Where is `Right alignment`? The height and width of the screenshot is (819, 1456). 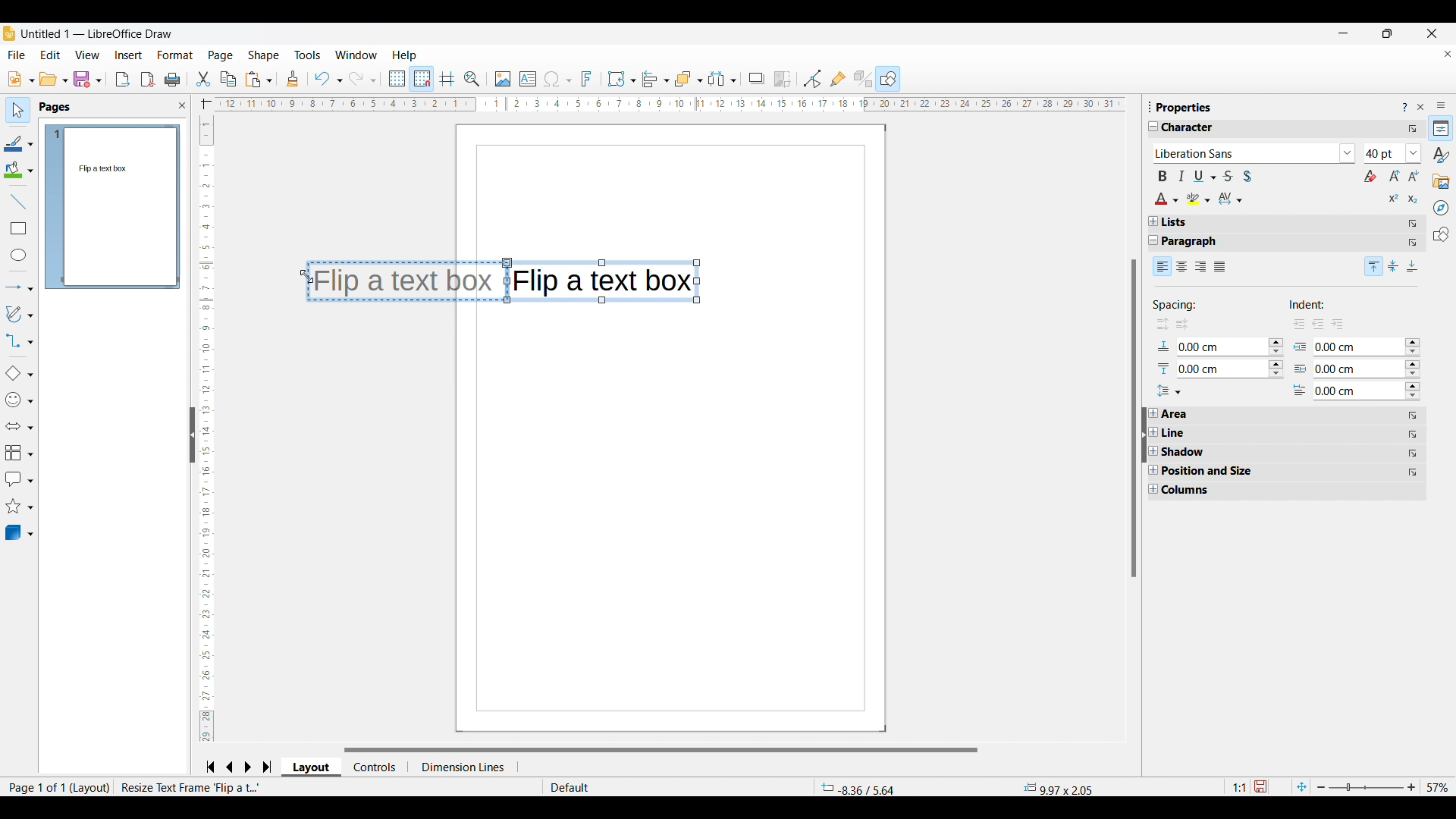 Right alignment is located at coordinates (1200, 268).